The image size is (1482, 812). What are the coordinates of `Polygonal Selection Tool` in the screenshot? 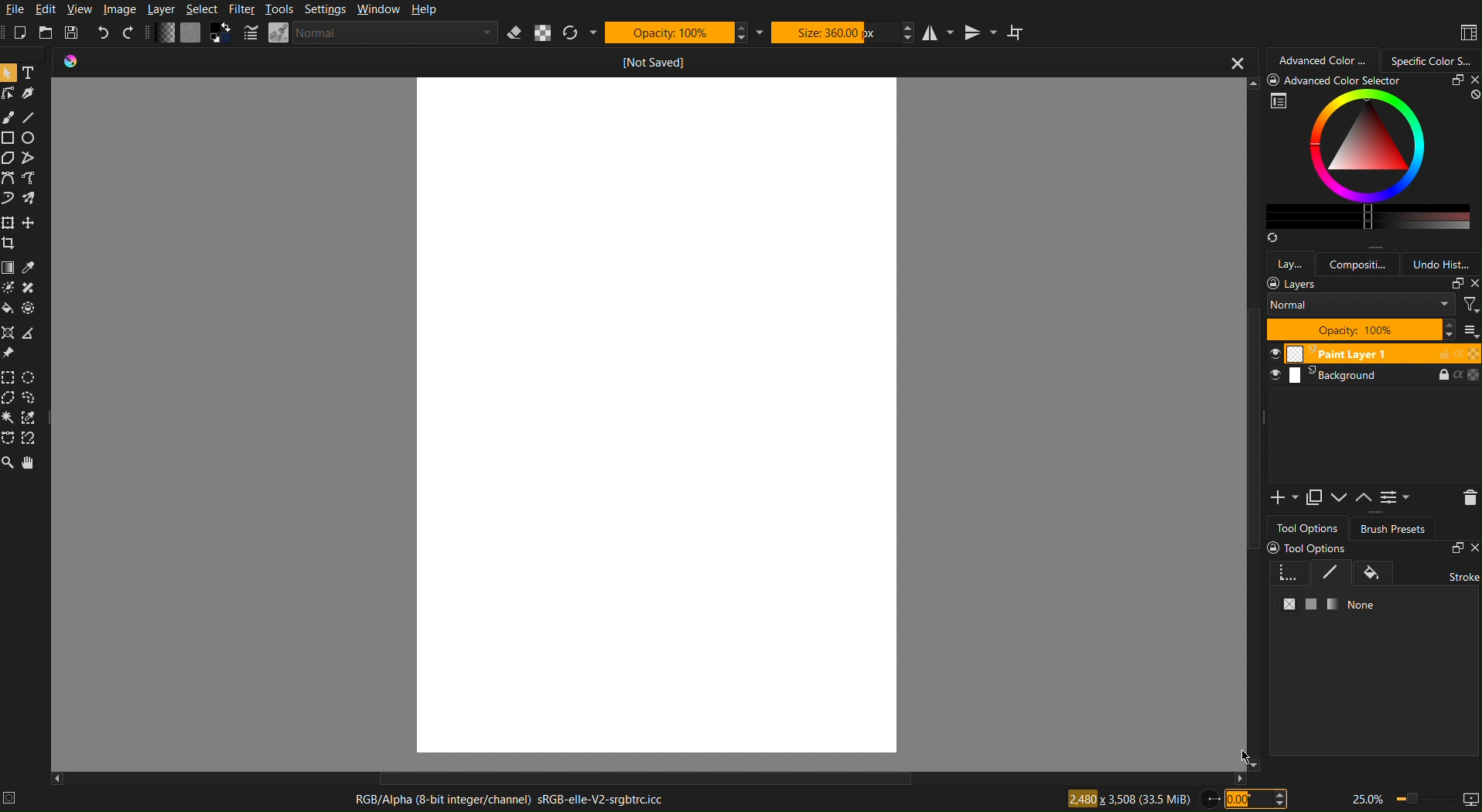 It's located at (9, 158).